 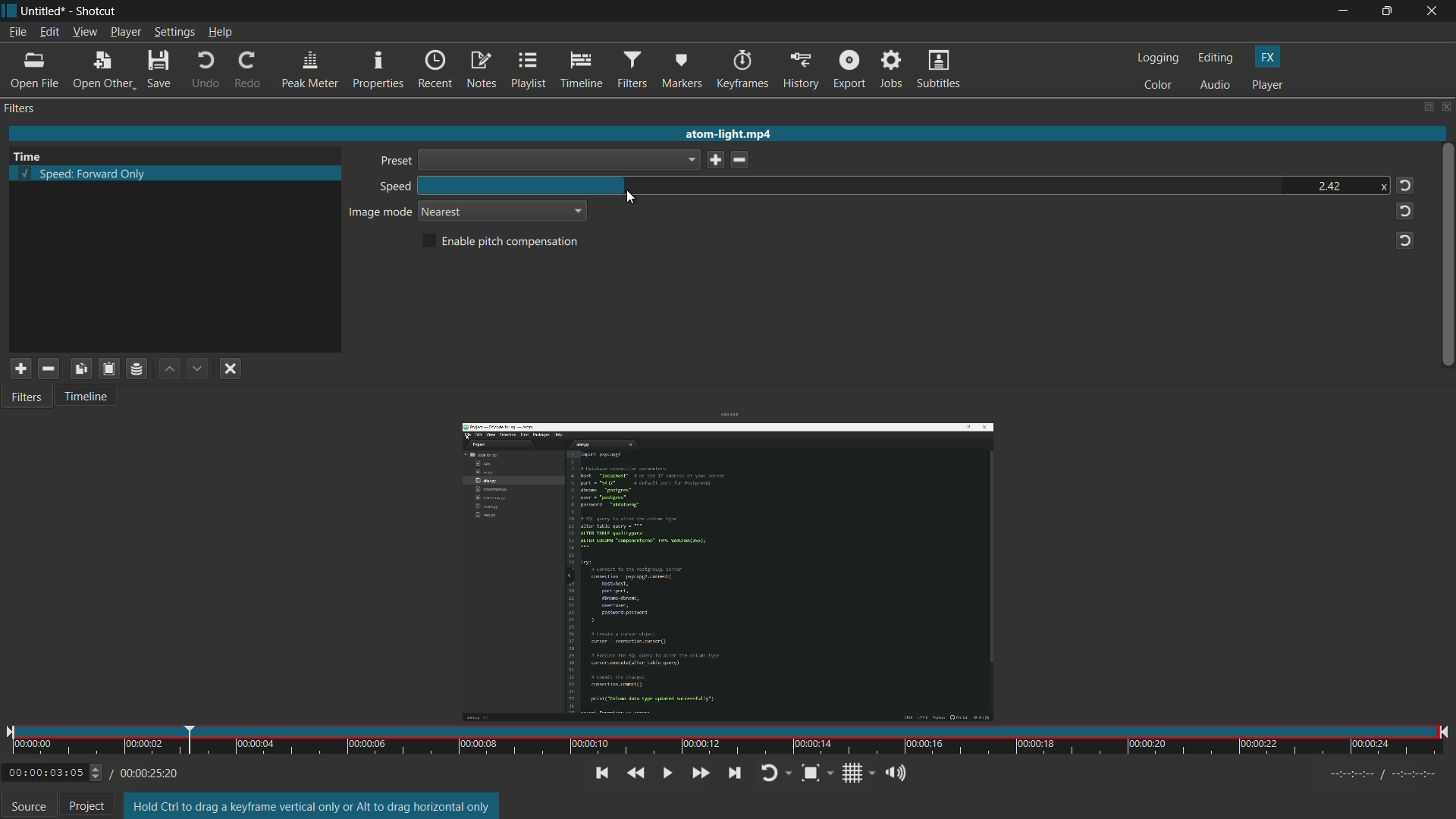 I want to click on change layout, so click(x=1426, y=107).